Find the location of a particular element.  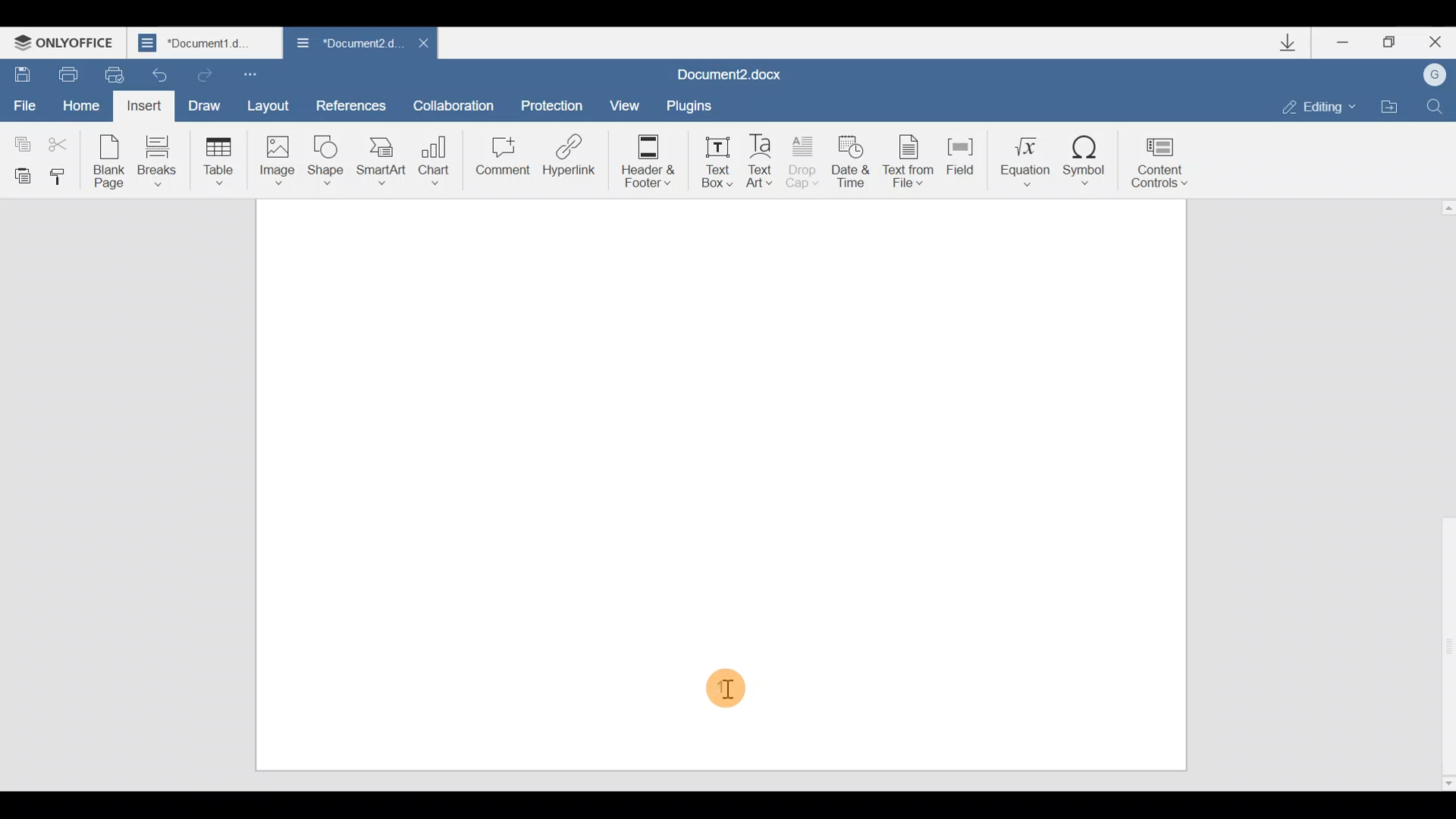

Chart is located at coordinates (437, 155).